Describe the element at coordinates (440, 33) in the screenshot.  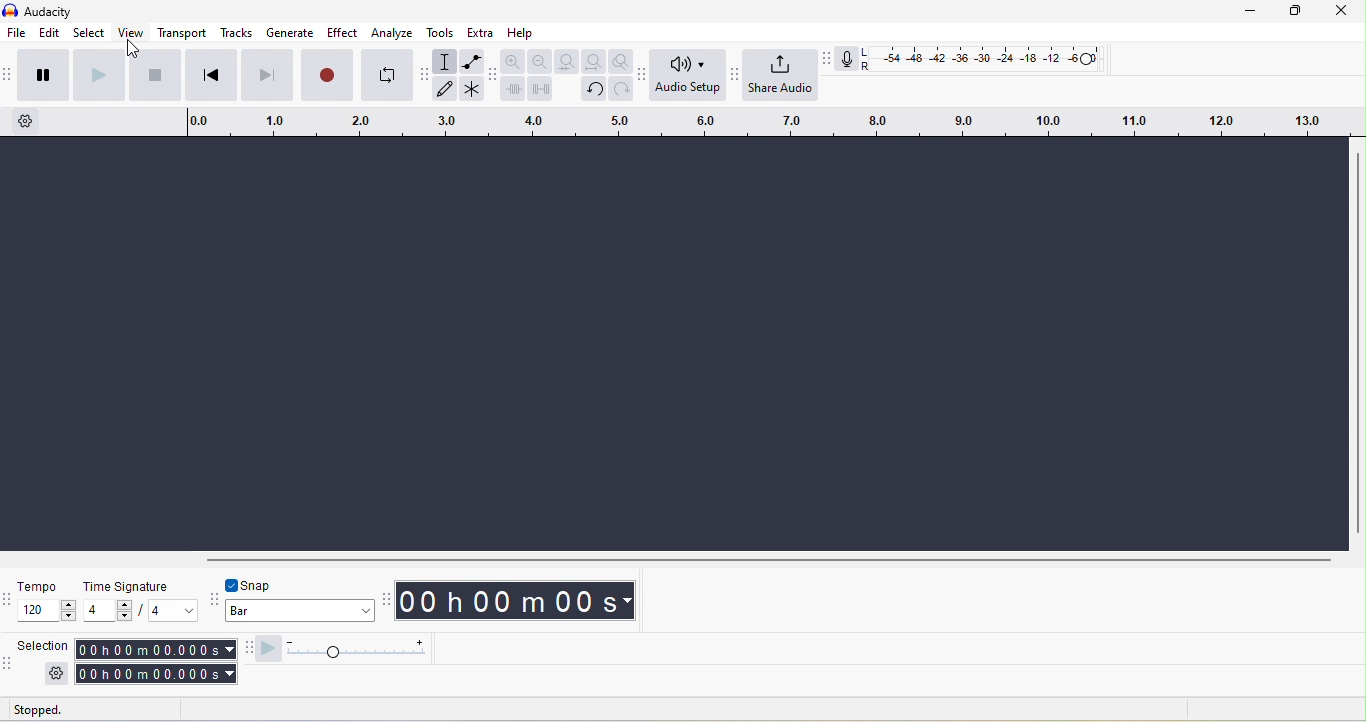
I see `tools` at that location.